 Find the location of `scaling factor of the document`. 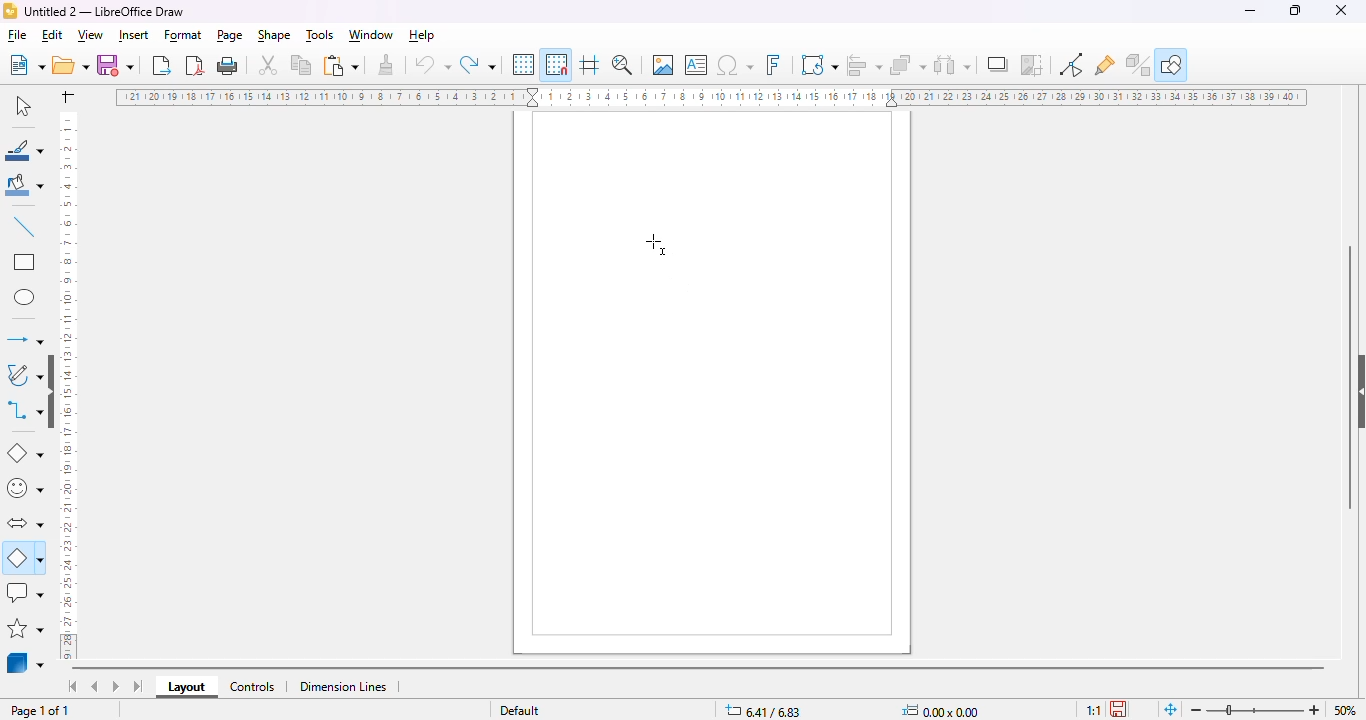

scaling factor of the document is located at coordinates (1093, 709).